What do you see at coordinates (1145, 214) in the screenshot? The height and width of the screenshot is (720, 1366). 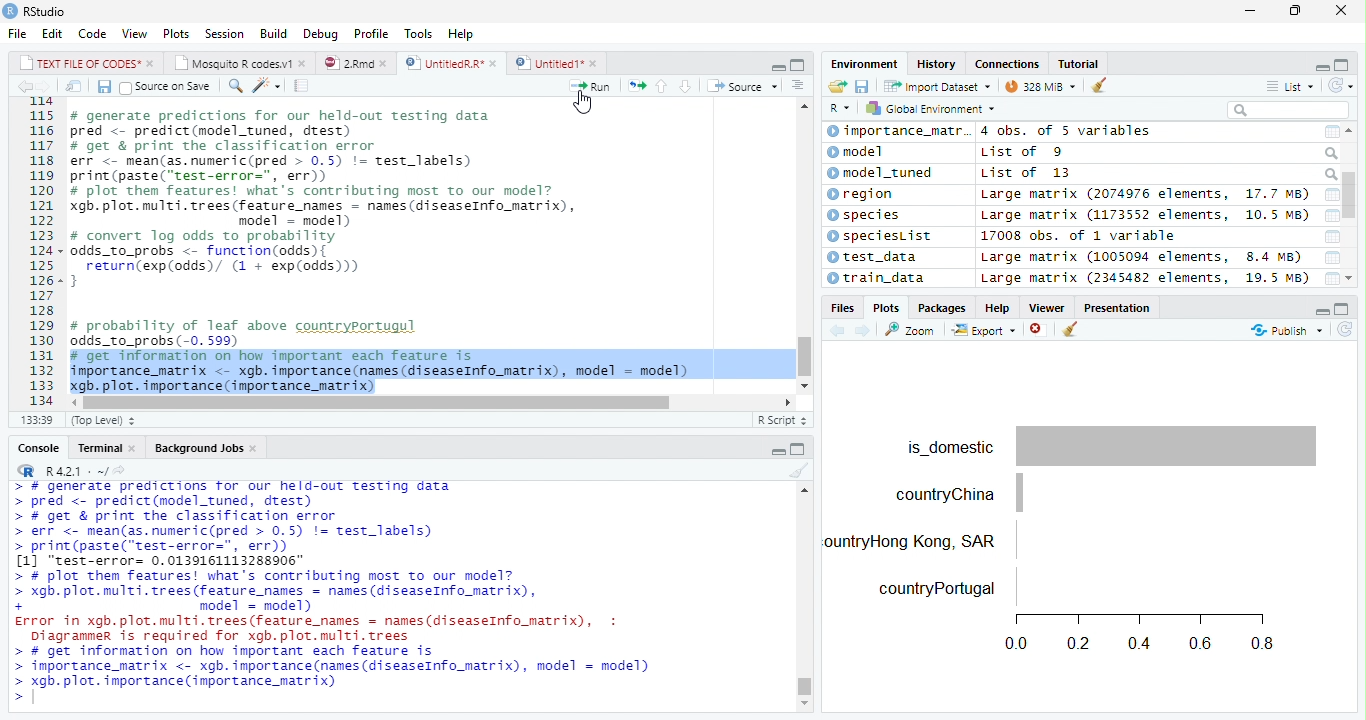 I see `Large matrix (1173552 elements, 10.5 MB)` at bounding box center [1145, 214].